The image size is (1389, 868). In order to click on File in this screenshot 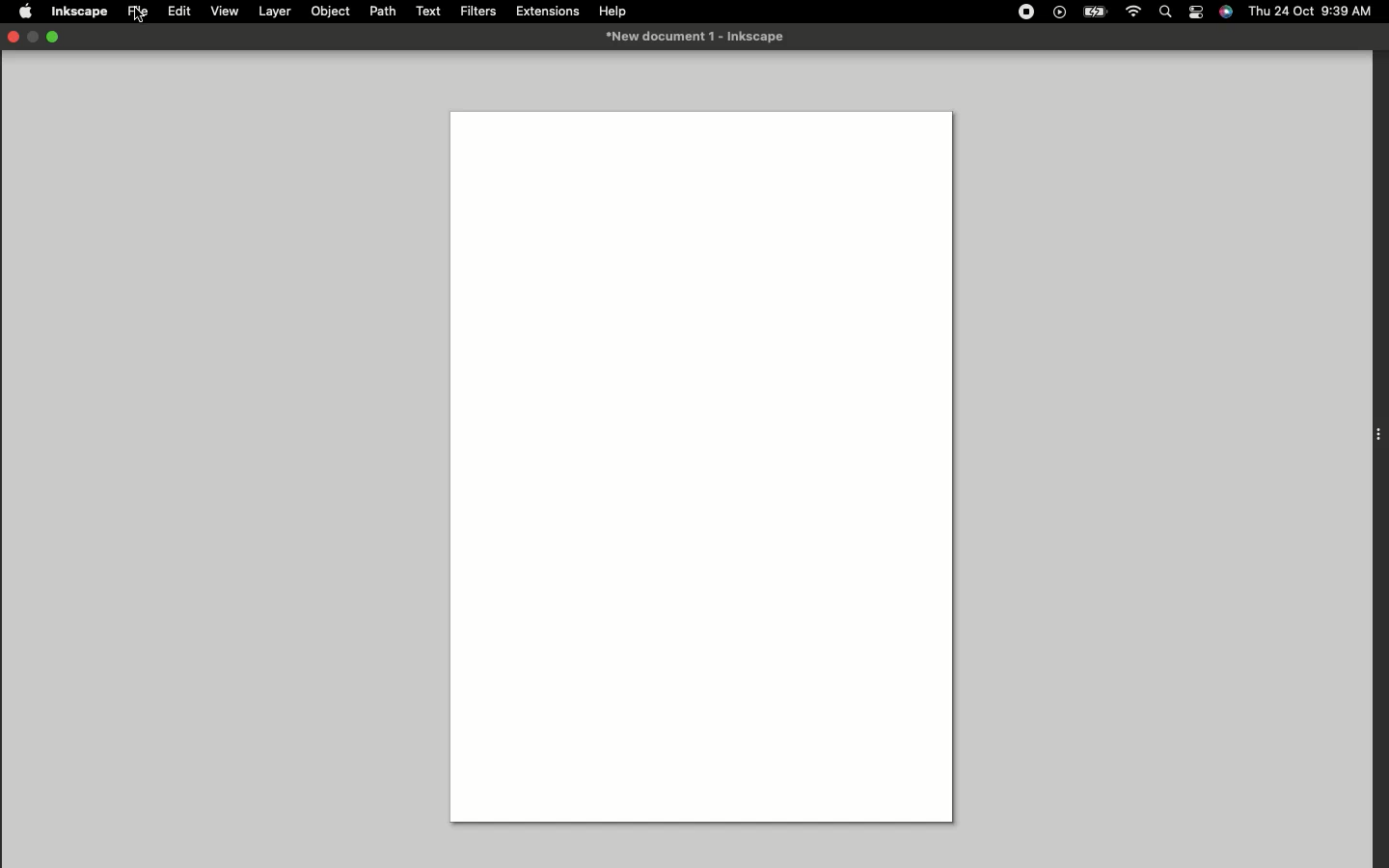, I will do `click(140, 14)`.